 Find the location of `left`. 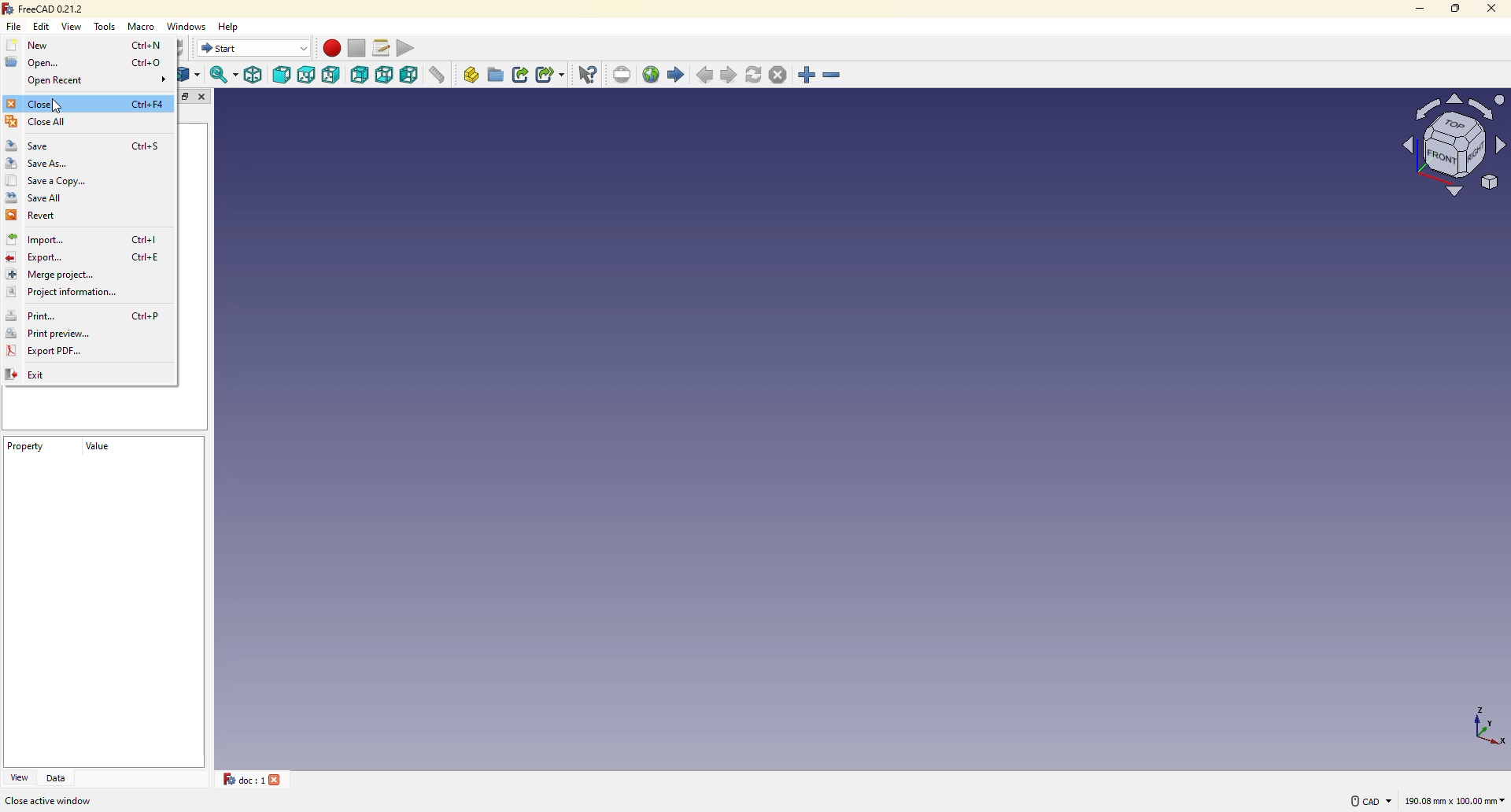

left is located at coordinates (412, 76).